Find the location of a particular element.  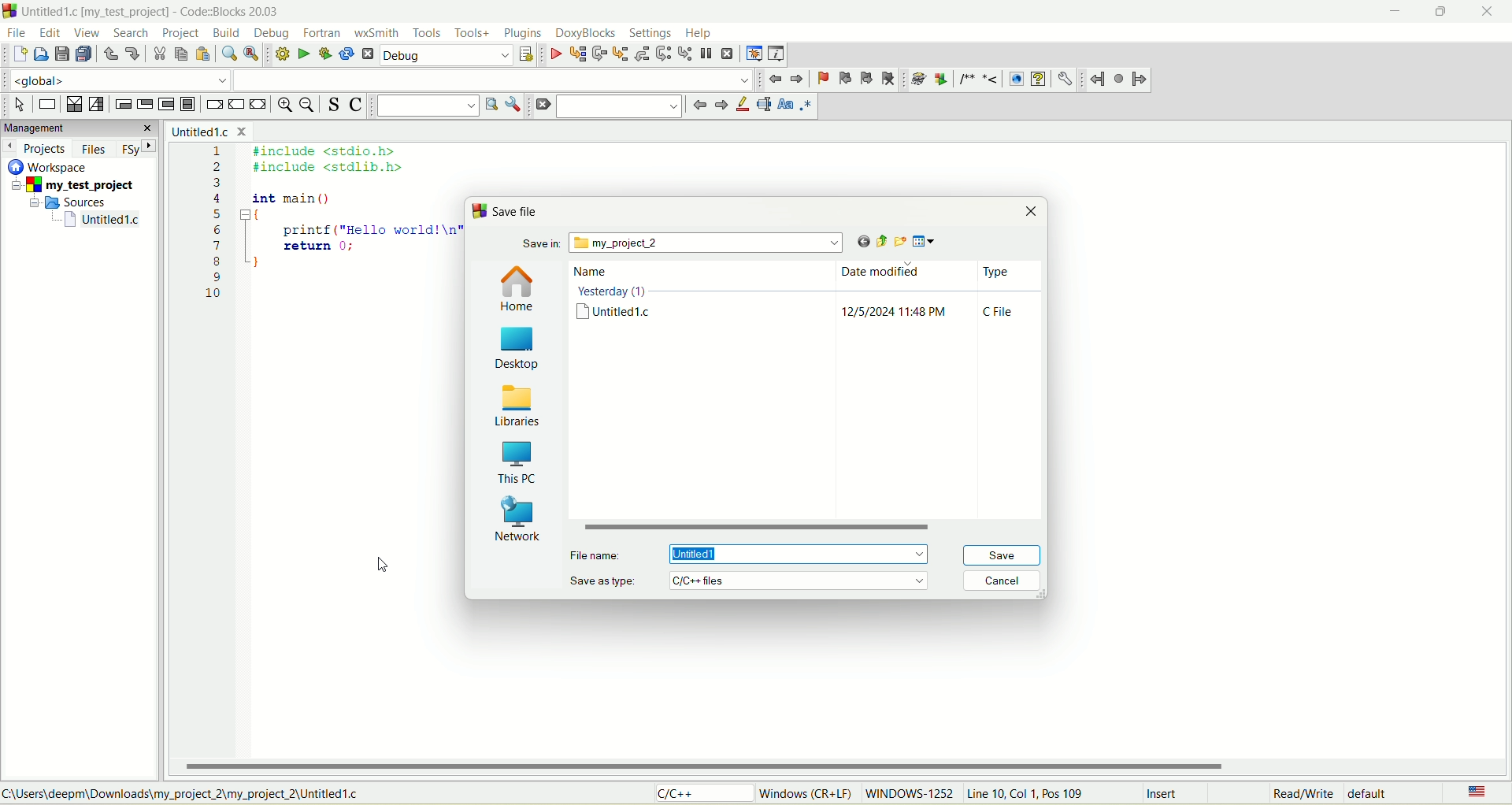

search is located at coordinates (126, 33).